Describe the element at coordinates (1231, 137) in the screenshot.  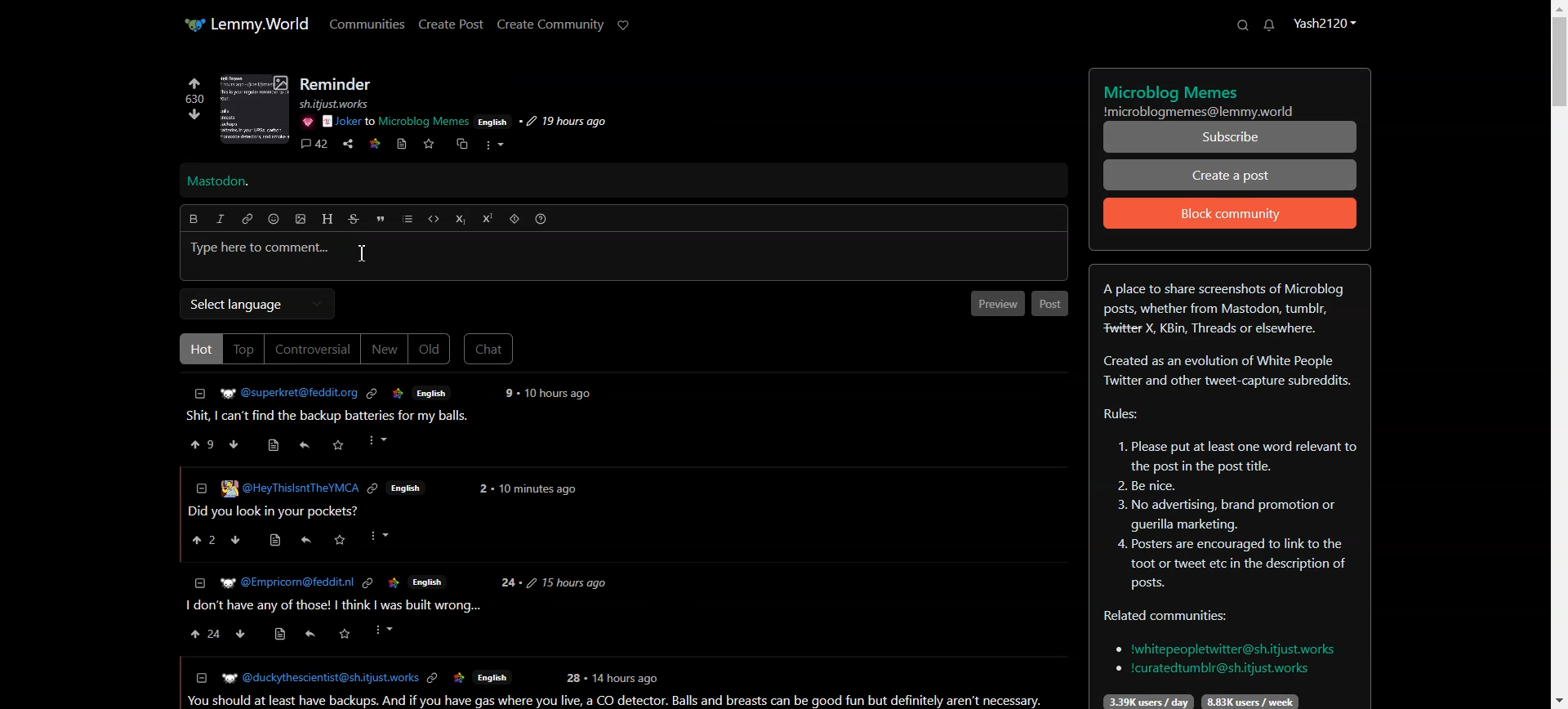
I see `Subscribe` at that location.